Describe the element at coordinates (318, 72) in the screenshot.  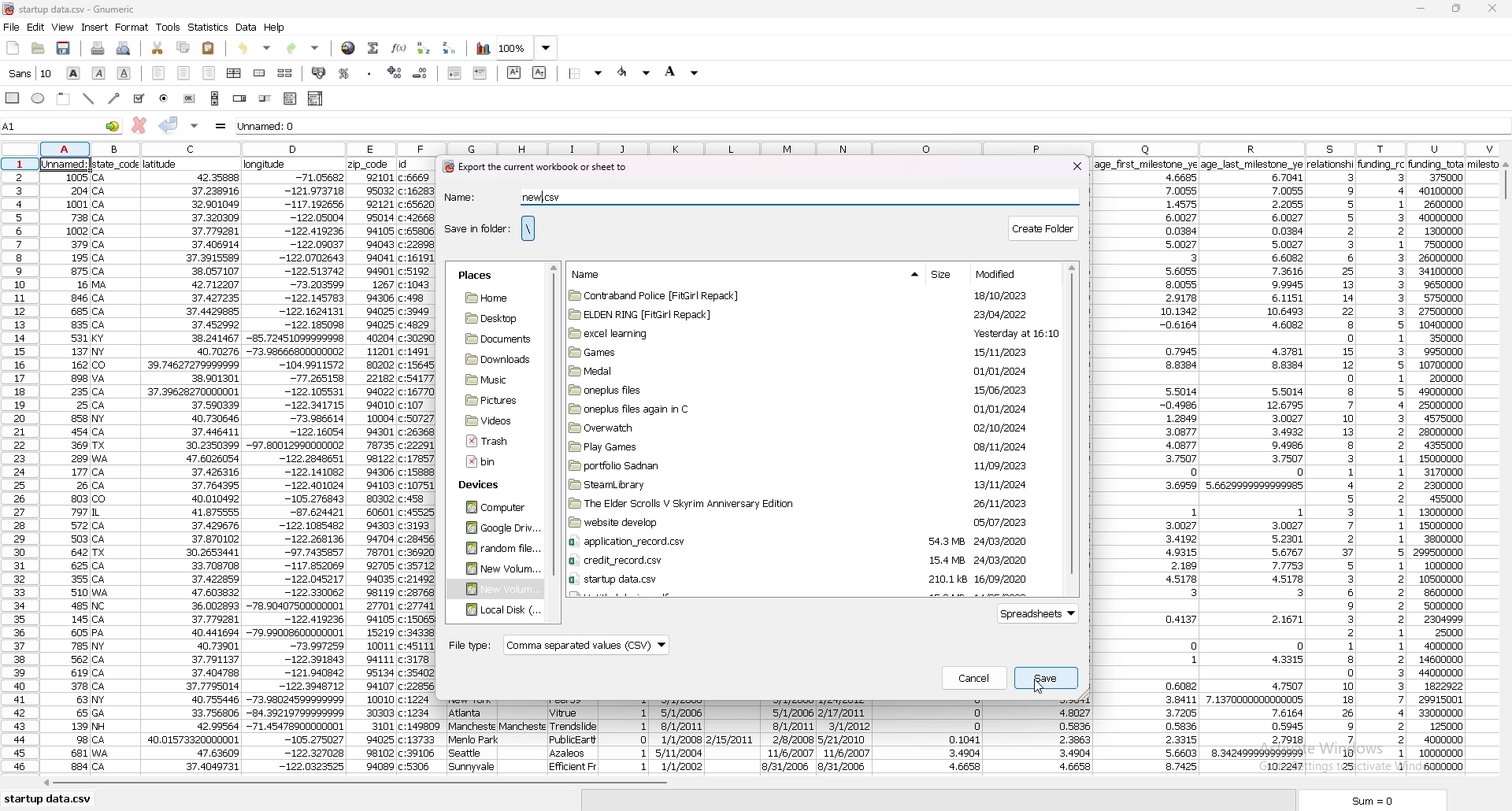
I see `accounting` at that location.